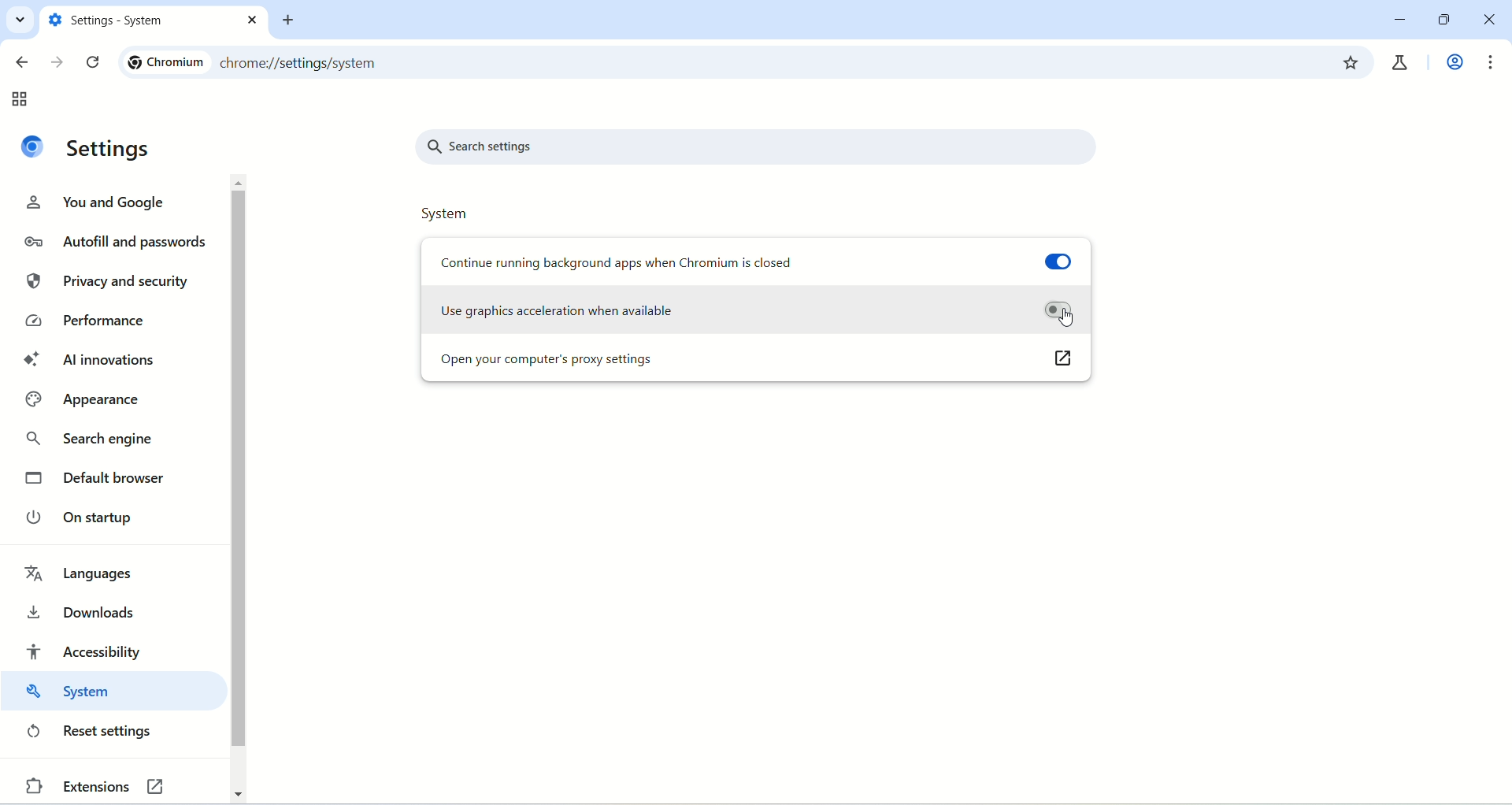 The height and width of the screenshot is (805, 1512). I want to click on Use graphics acceleration when available, so click(598, 313).